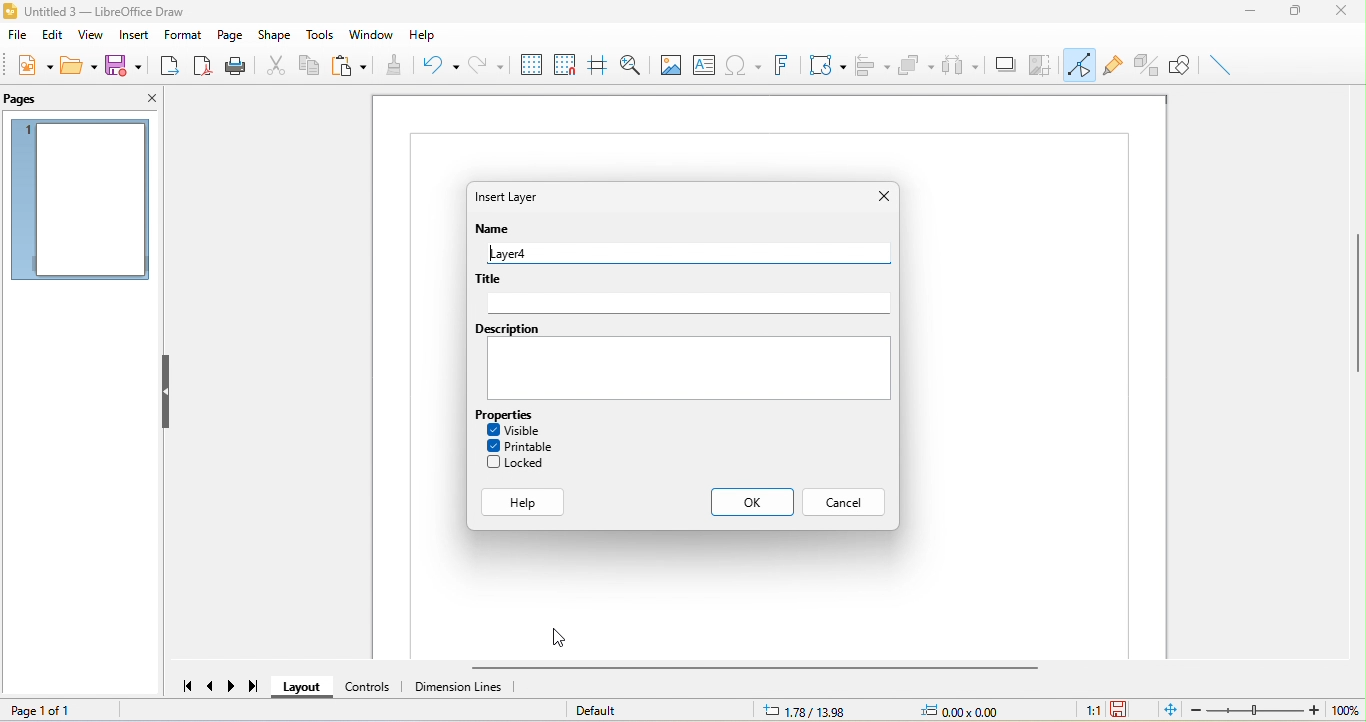  Describe the element at coordinates (165, 390) in the screenshot. I see `hide` at that location.